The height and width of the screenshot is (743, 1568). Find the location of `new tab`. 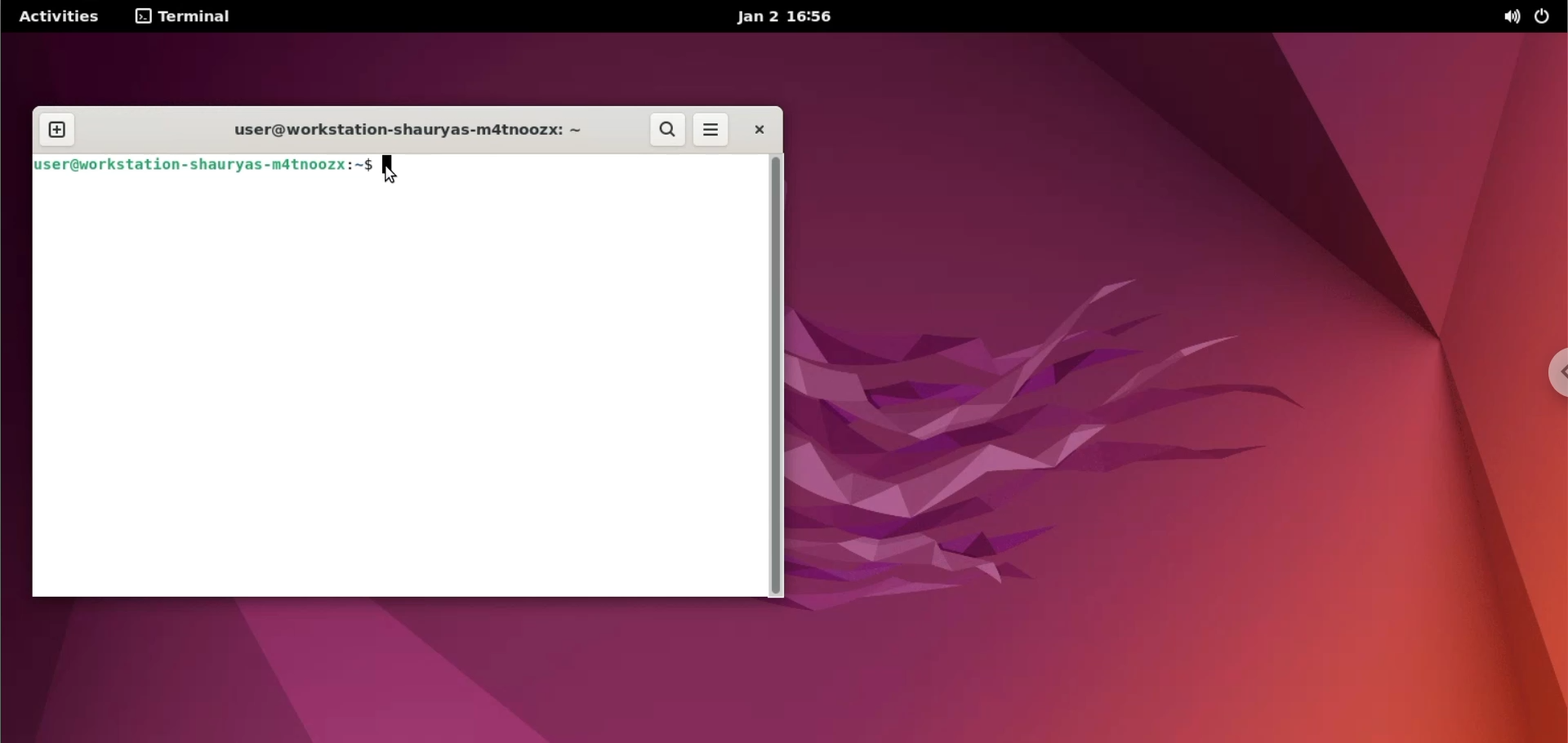

new tab is located at coordinates (60, 125).